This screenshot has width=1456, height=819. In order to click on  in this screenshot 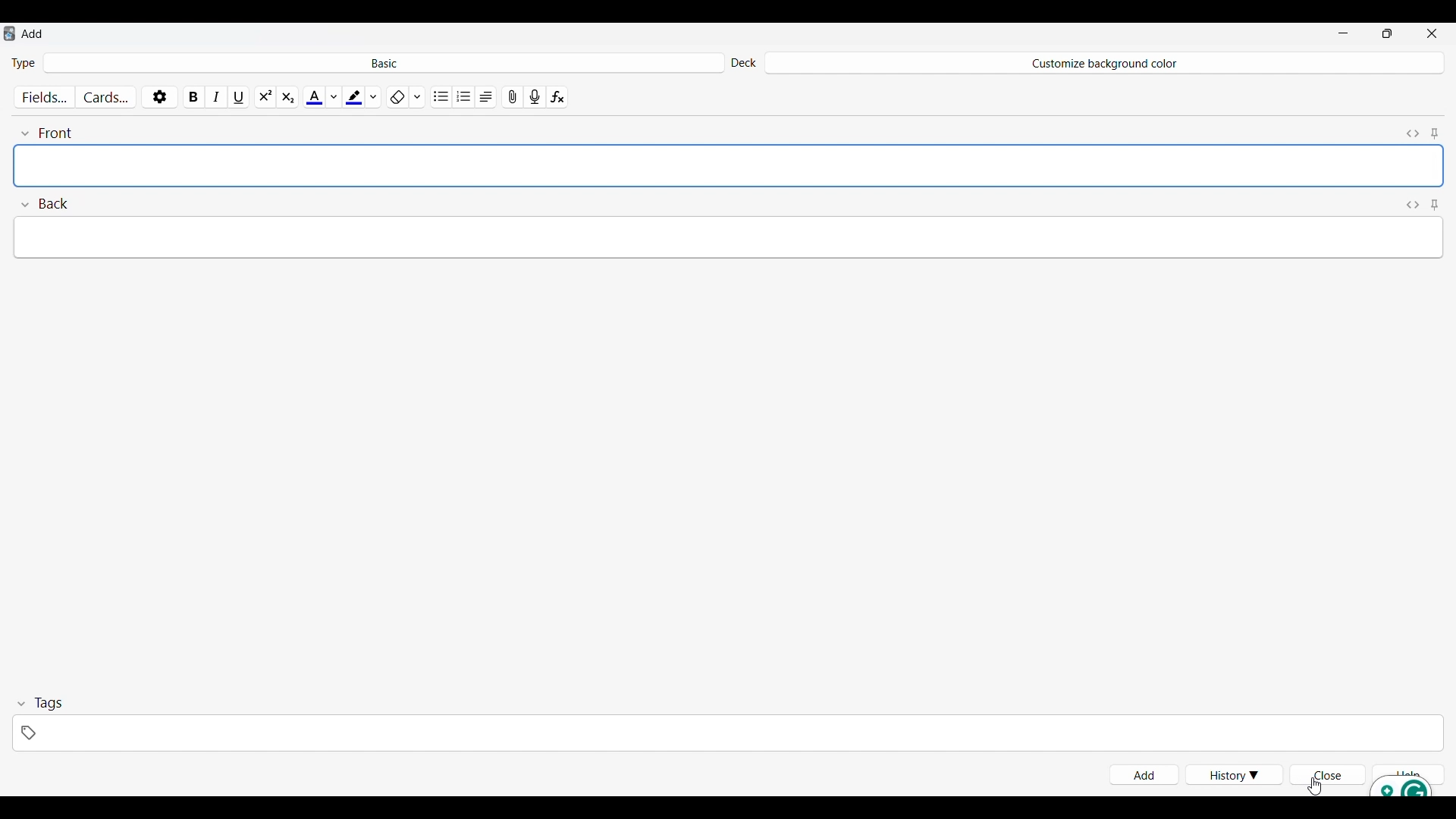, I will do `click(1144, 776)`.